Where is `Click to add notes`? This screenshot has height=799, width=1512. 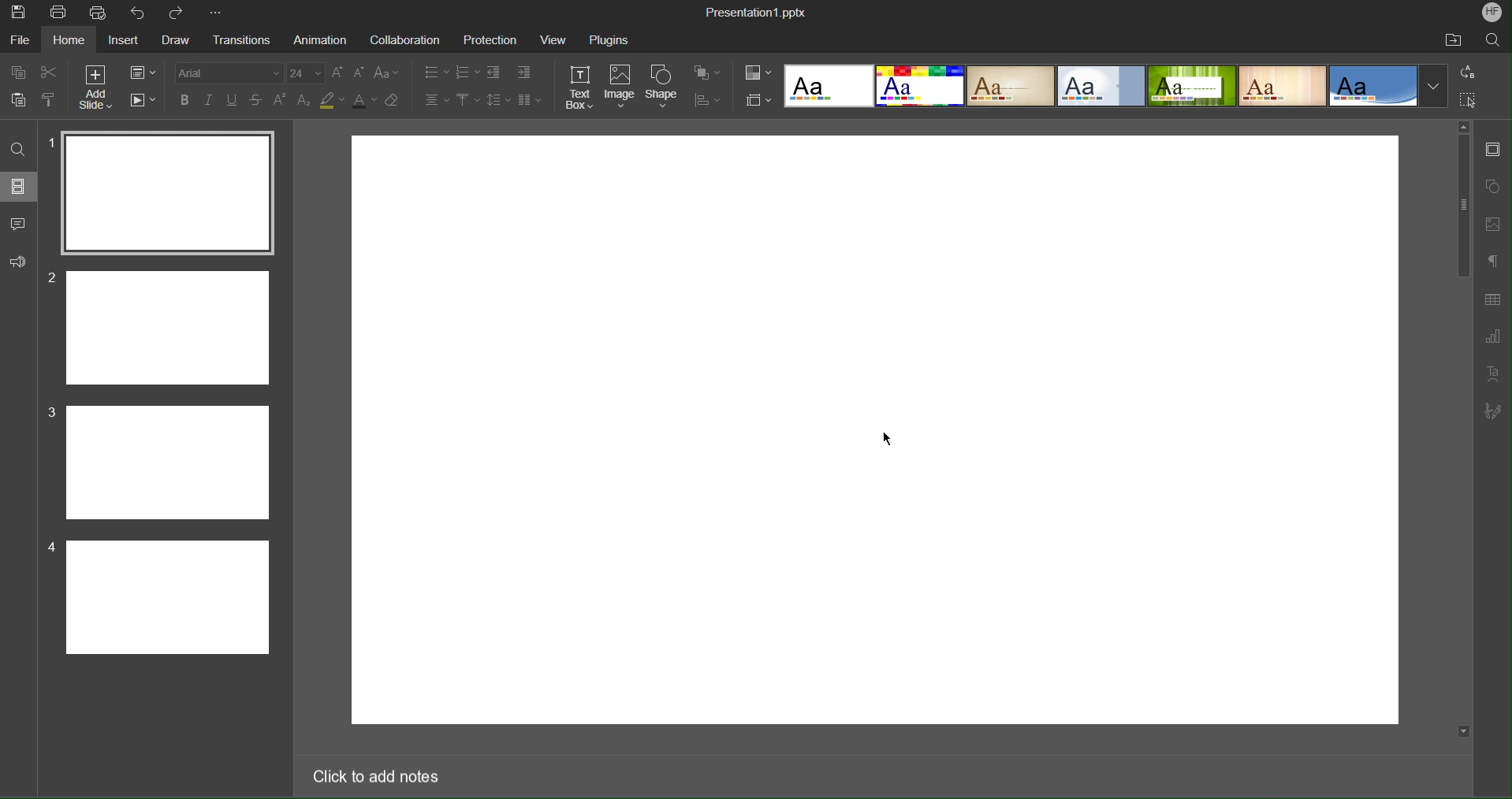 Click to add notes is located at coordinates (381, 773).